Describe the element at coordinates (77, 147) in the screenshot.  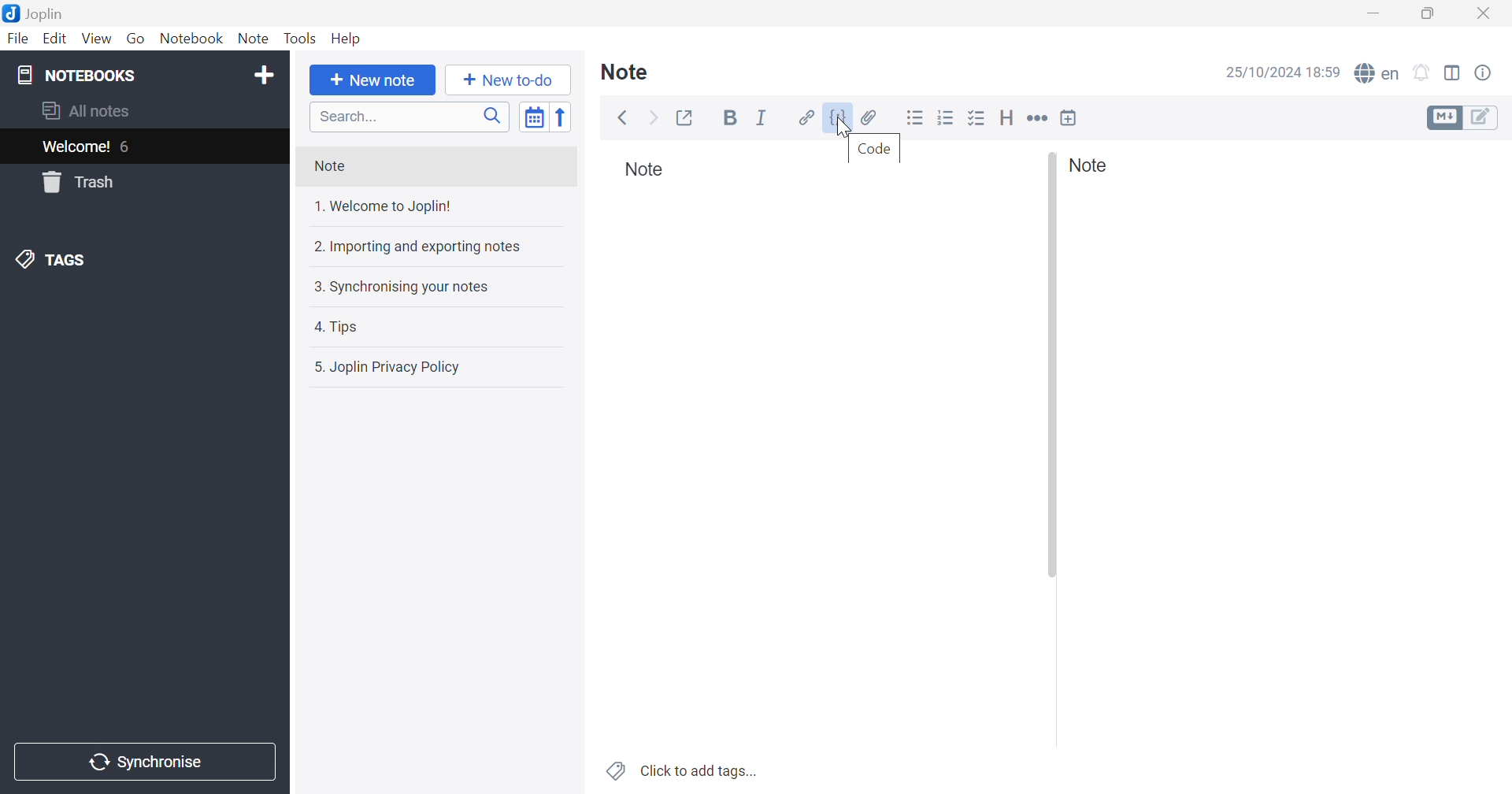
I see `Welcome!` at that location.